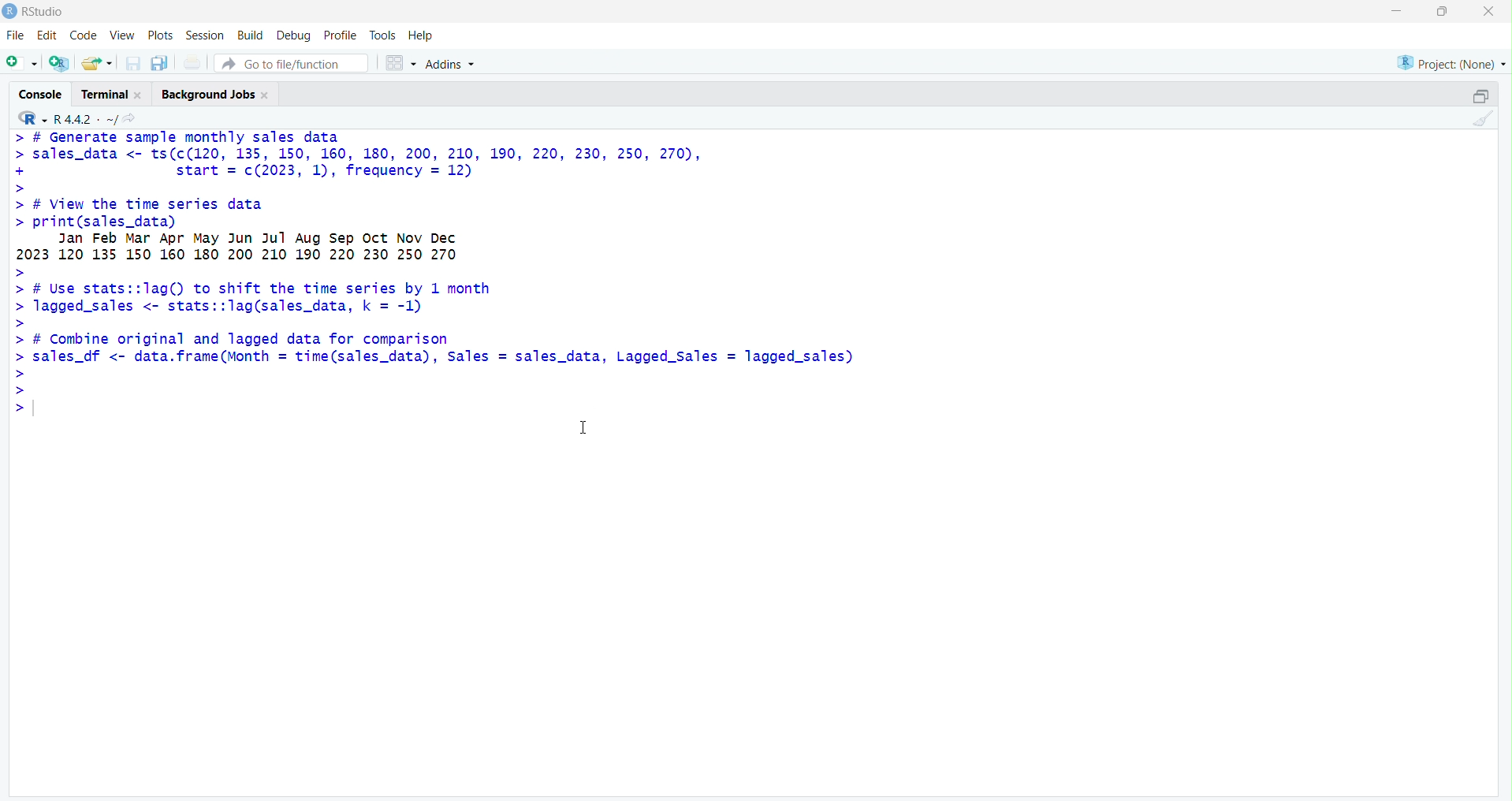  I want to click on save current document, so click(134, 64).